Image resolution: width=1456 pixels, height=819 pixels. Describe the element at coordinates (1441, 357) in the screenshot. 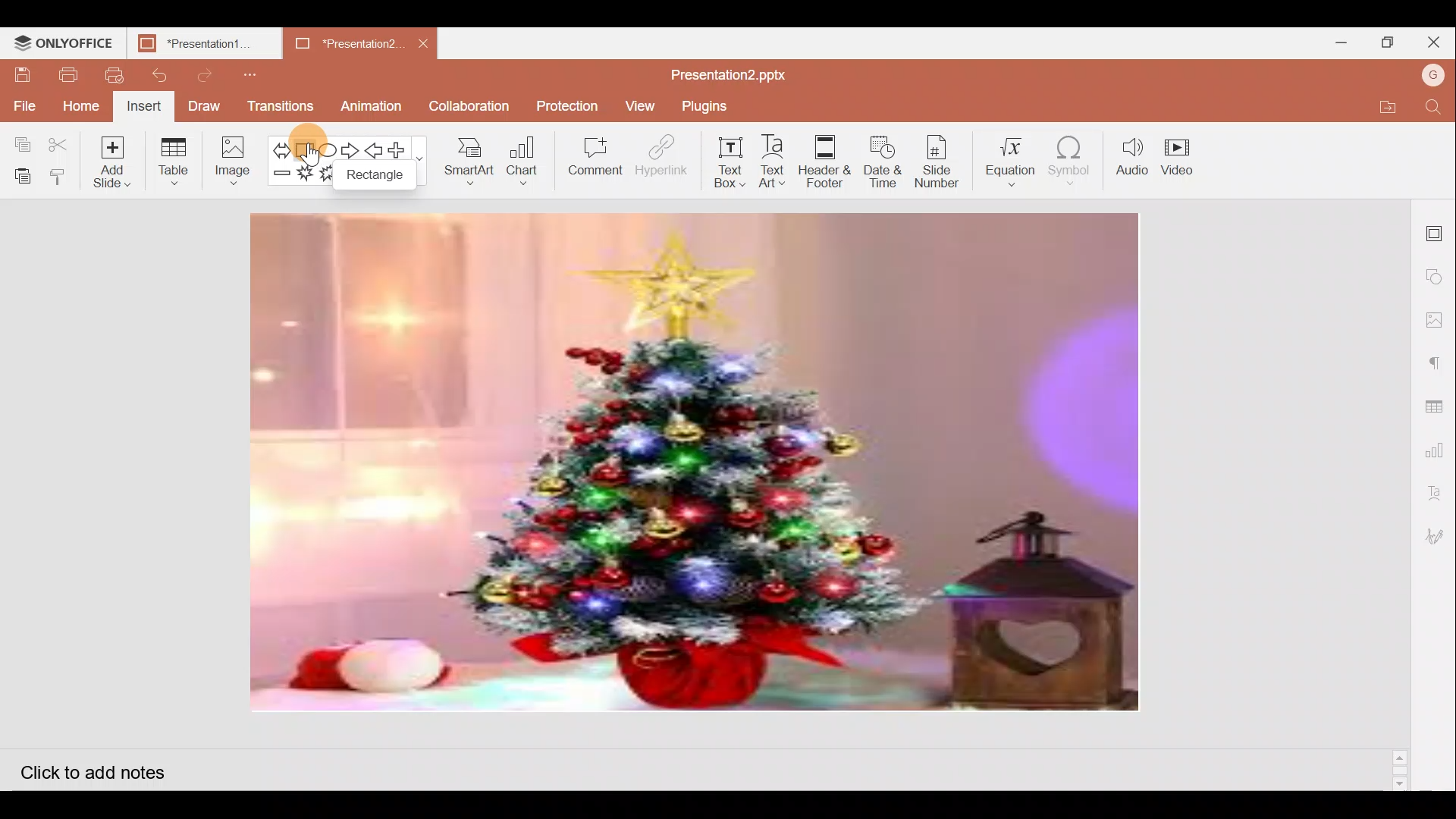

I see `Paragraph settings` at that location.